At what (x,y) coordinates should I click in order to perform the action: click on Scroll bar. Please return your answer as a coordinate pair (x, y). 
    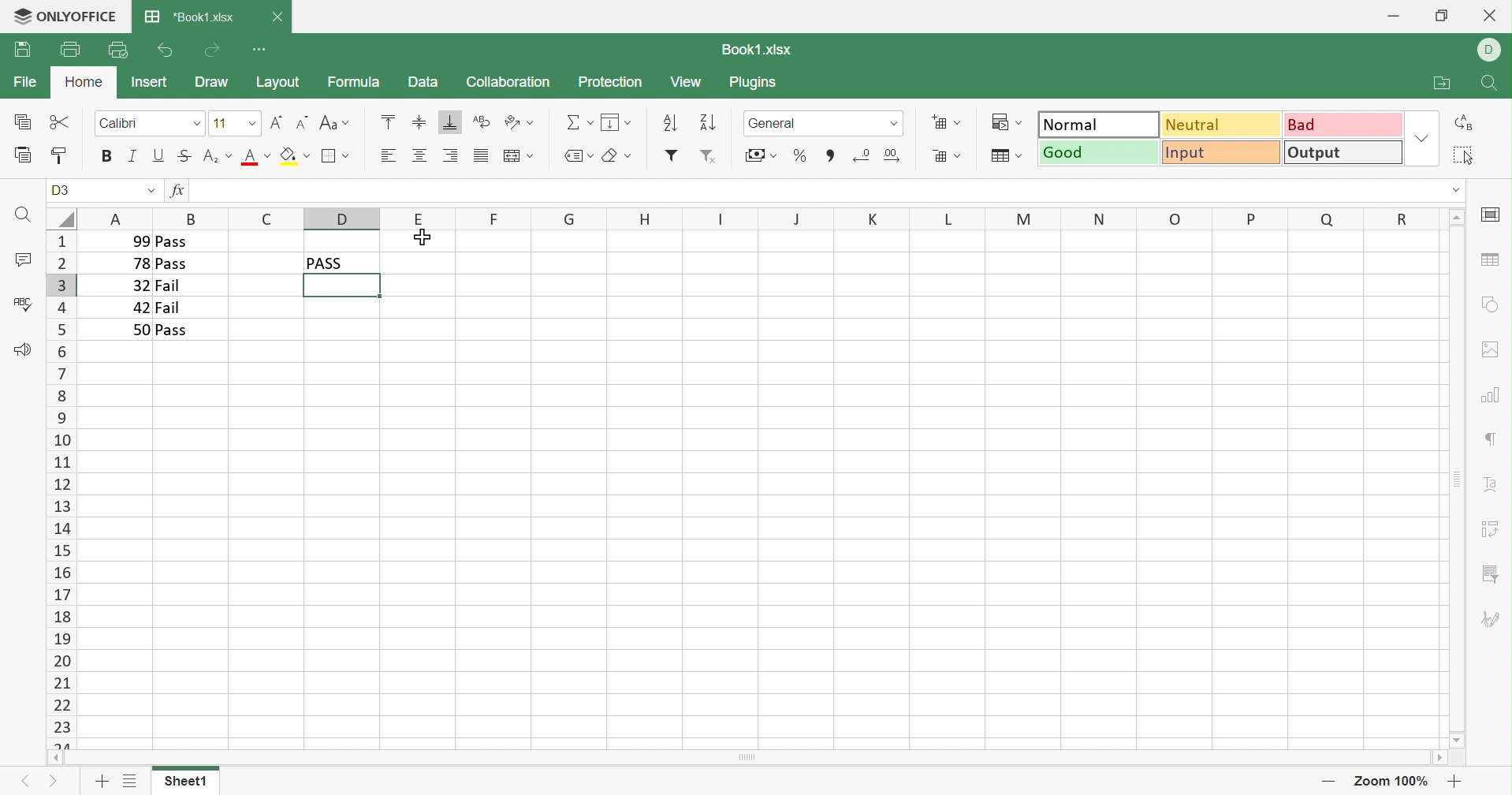
    Looking at the image, I should click on (1456, 479).